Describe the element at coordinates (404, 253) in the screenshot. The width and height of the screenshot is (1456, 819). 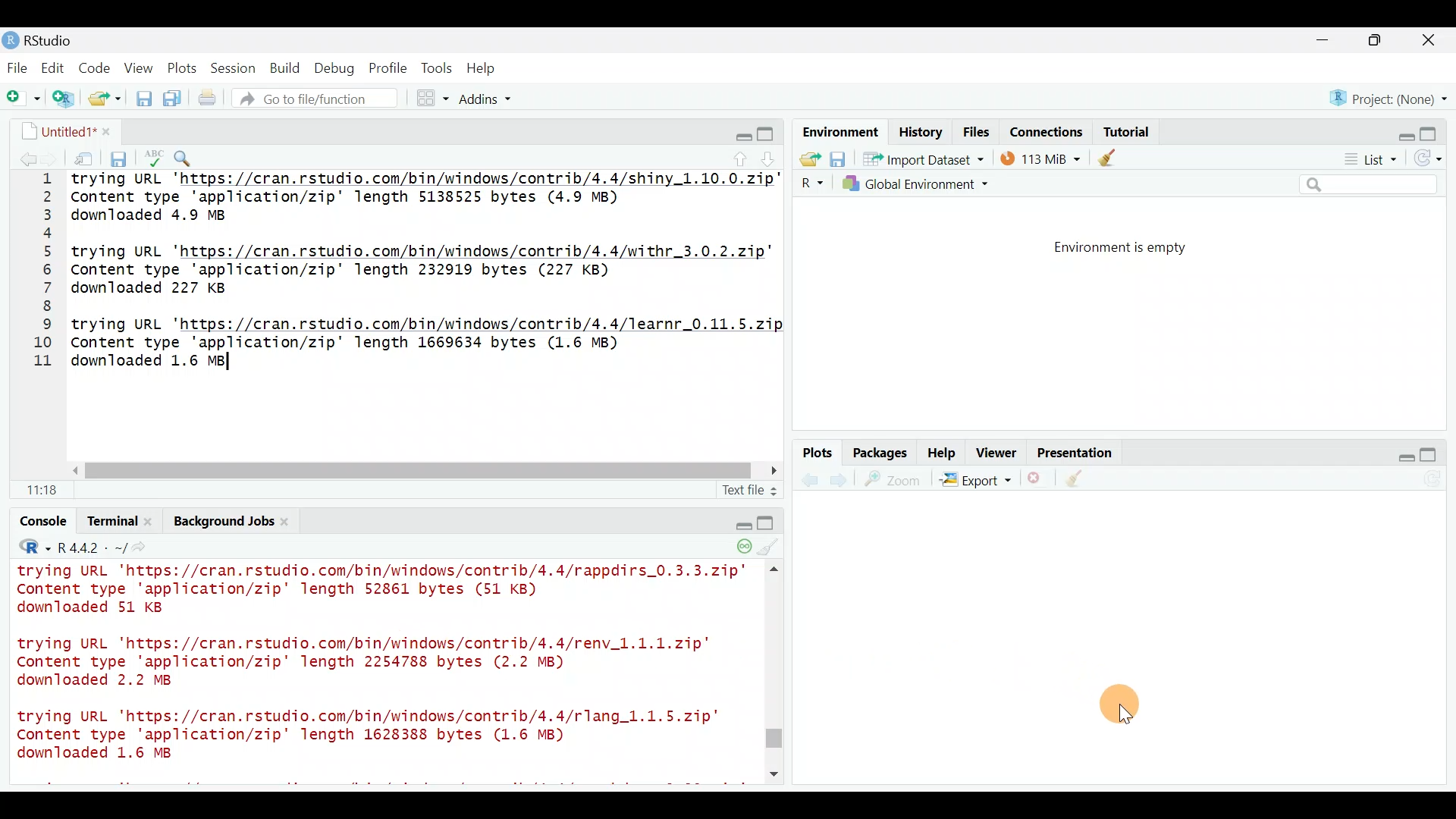
I see `> Trying URL nttps://cran.rstudilo.com/bin/winaows/contrib/4.4/withr_5.0.2.2Z1p` at that location.